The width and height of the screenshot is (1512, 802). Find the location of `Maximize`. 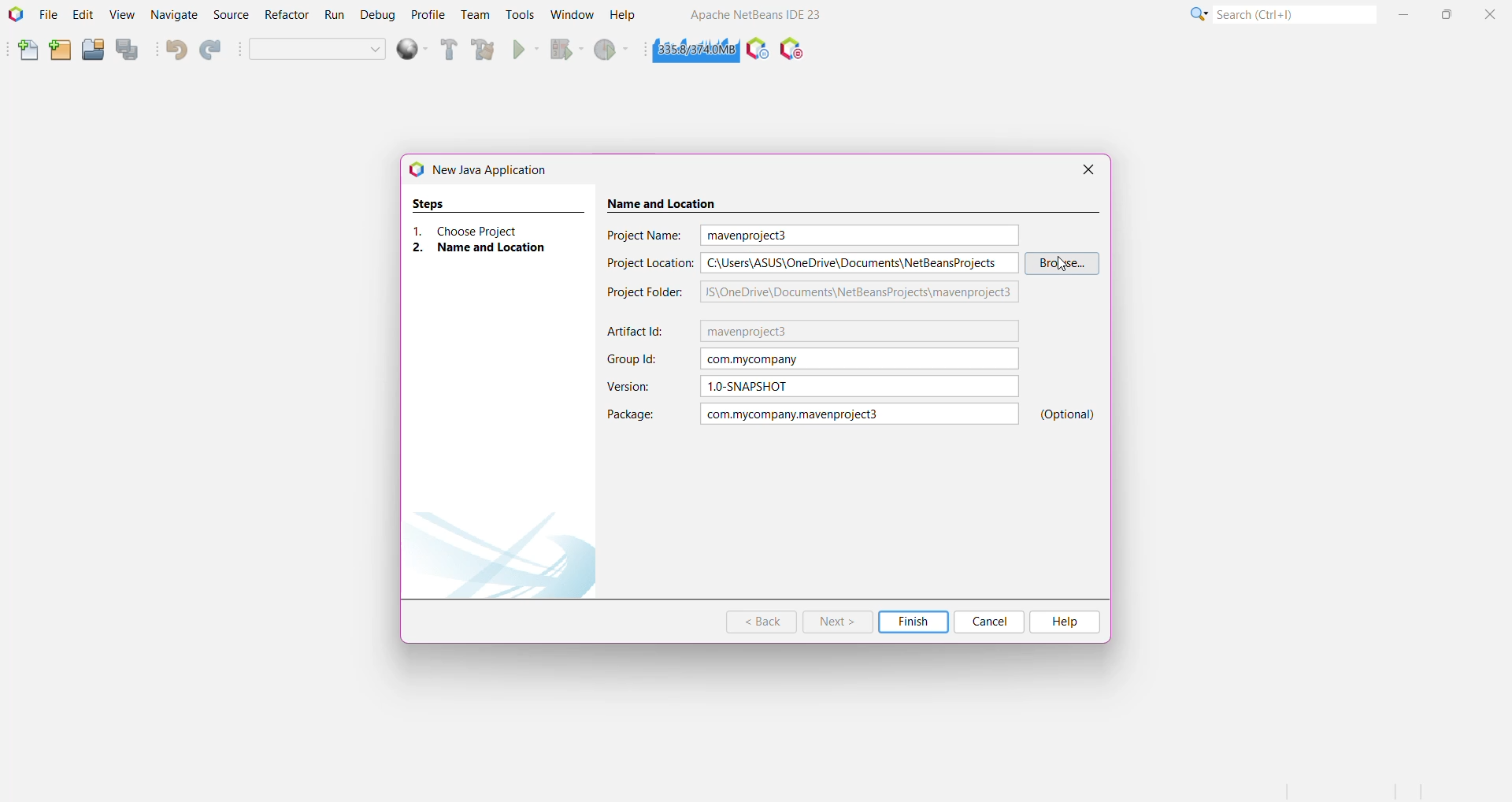

Maximize is located at coordinates (1448, 15).